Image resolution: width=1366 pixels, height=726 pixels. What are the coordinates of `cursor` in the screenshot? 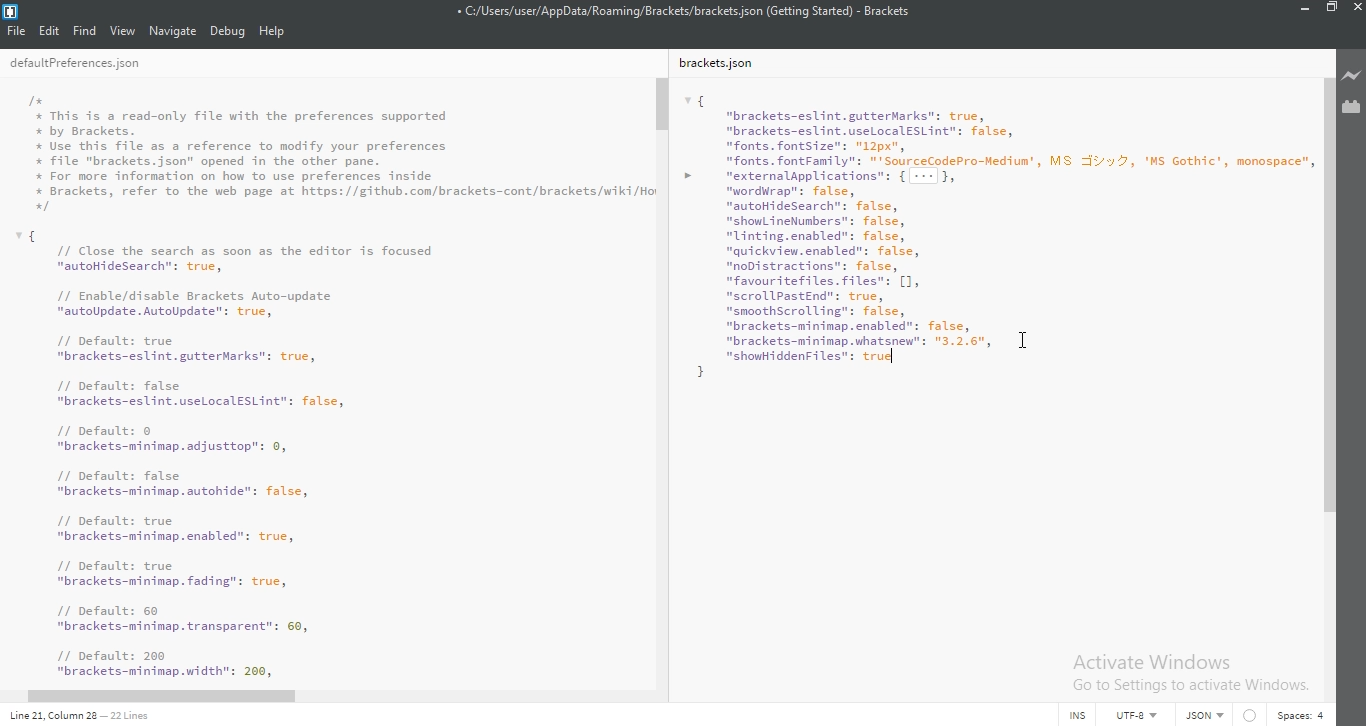 It's located at (1023, 338).